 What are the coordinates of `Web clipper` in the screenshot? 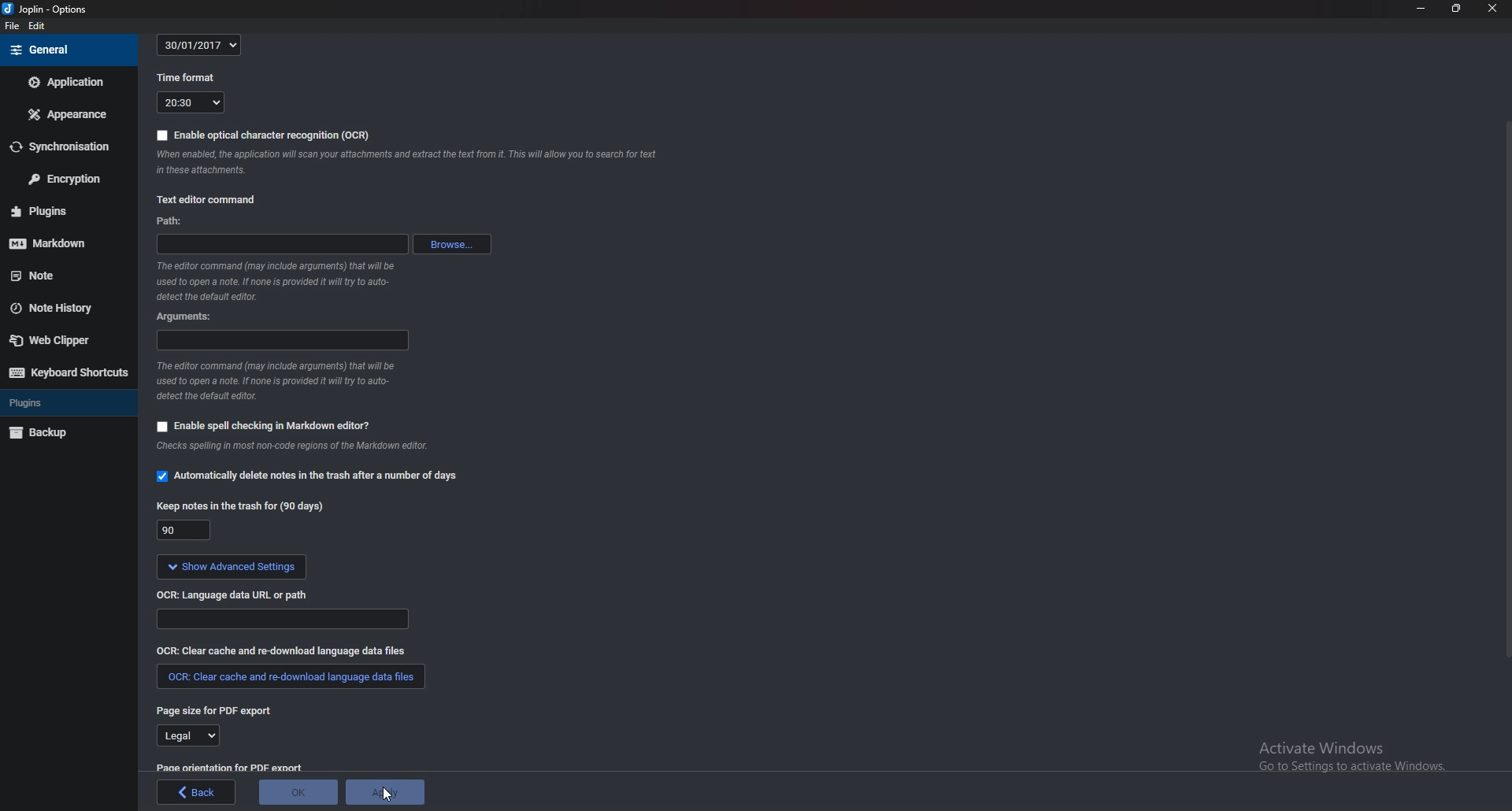 It's located at (61, 339).